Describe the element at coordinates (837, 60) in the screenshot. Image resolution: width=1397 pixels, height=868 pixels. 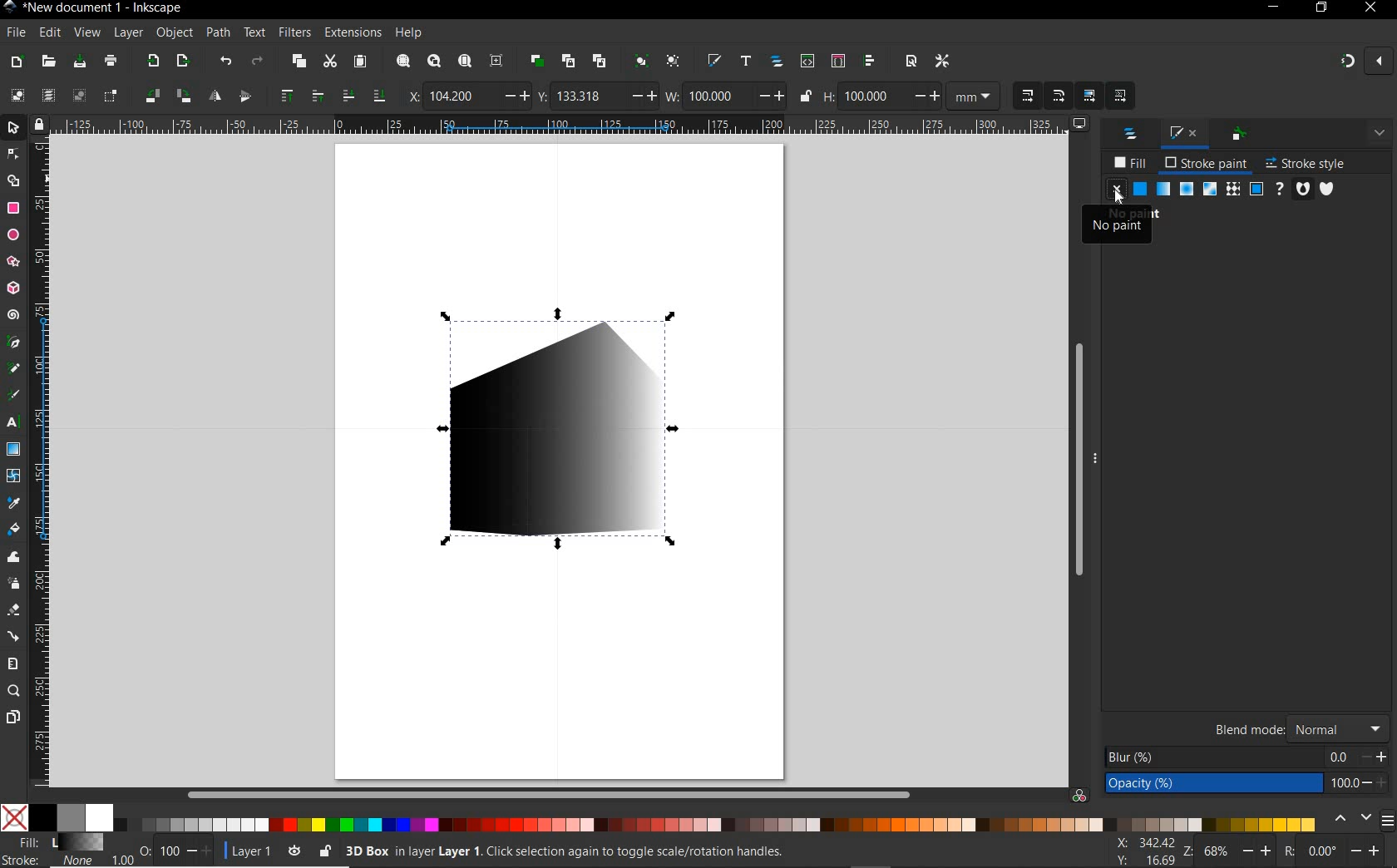
I see `OPEN SELECTORS` at that location.